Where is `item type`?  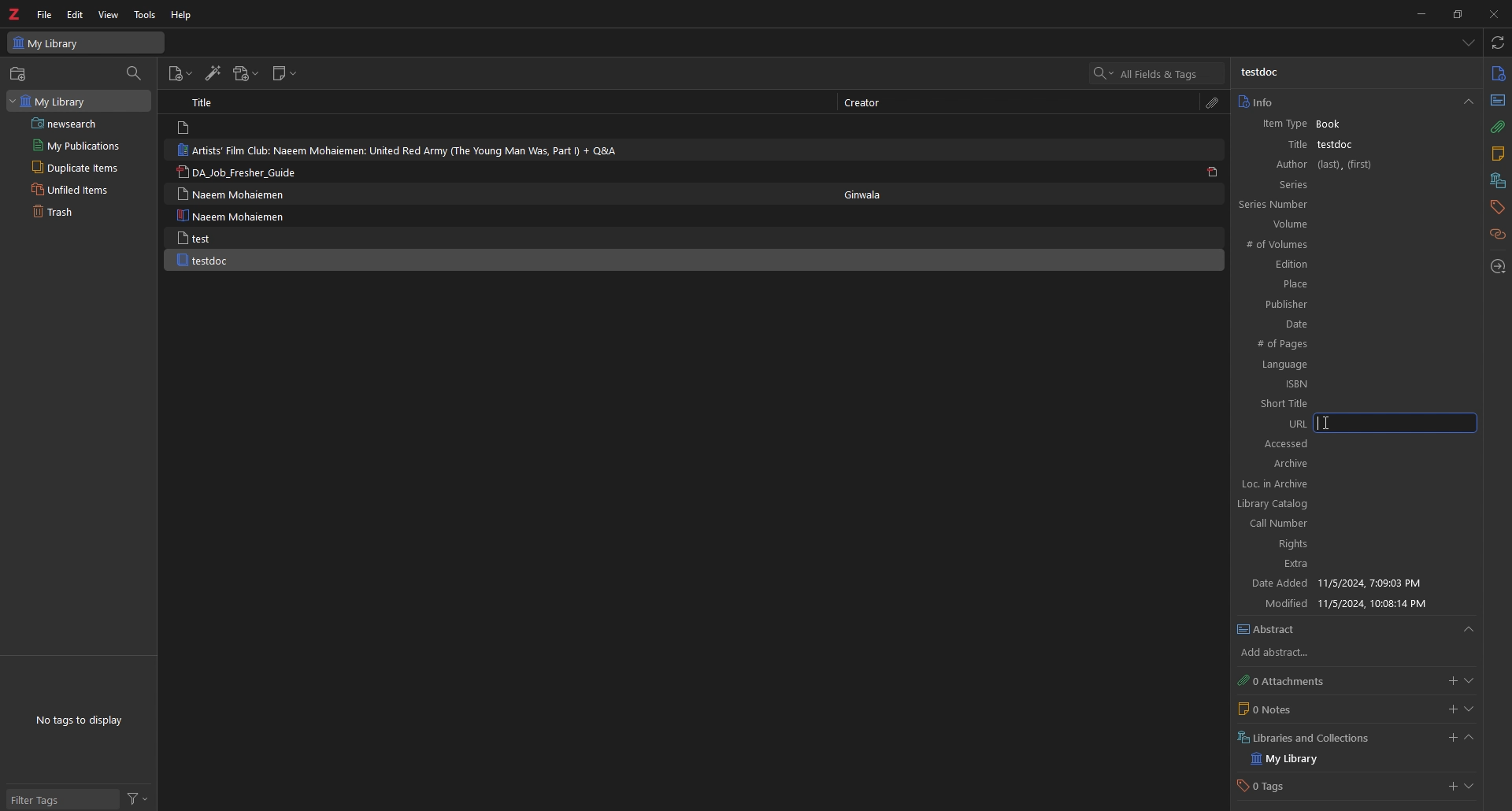 item type is located at coordinates (1284, 124).